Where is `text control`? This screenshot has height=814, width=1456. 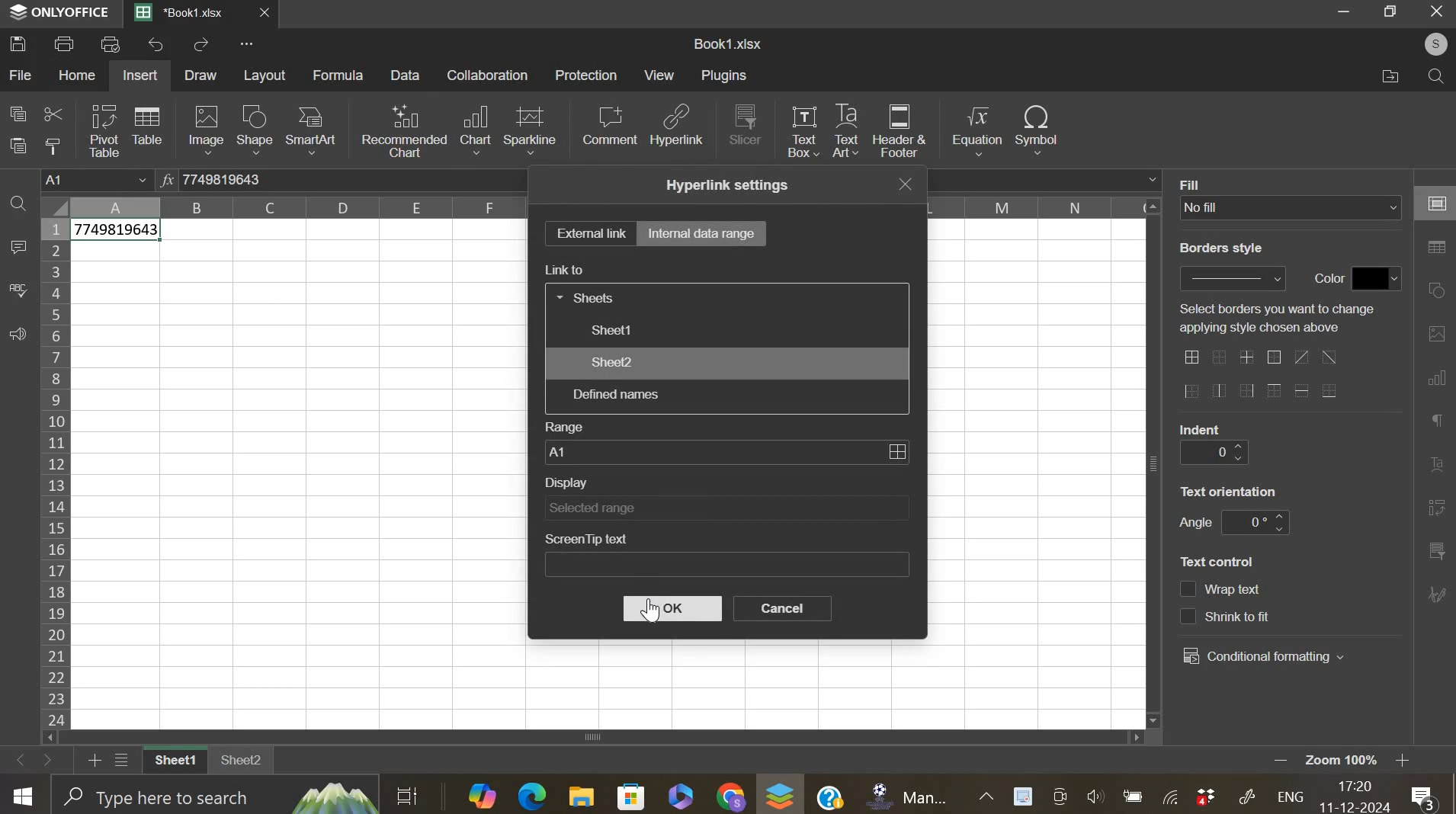
text control is located at coordinates (1226, 603).